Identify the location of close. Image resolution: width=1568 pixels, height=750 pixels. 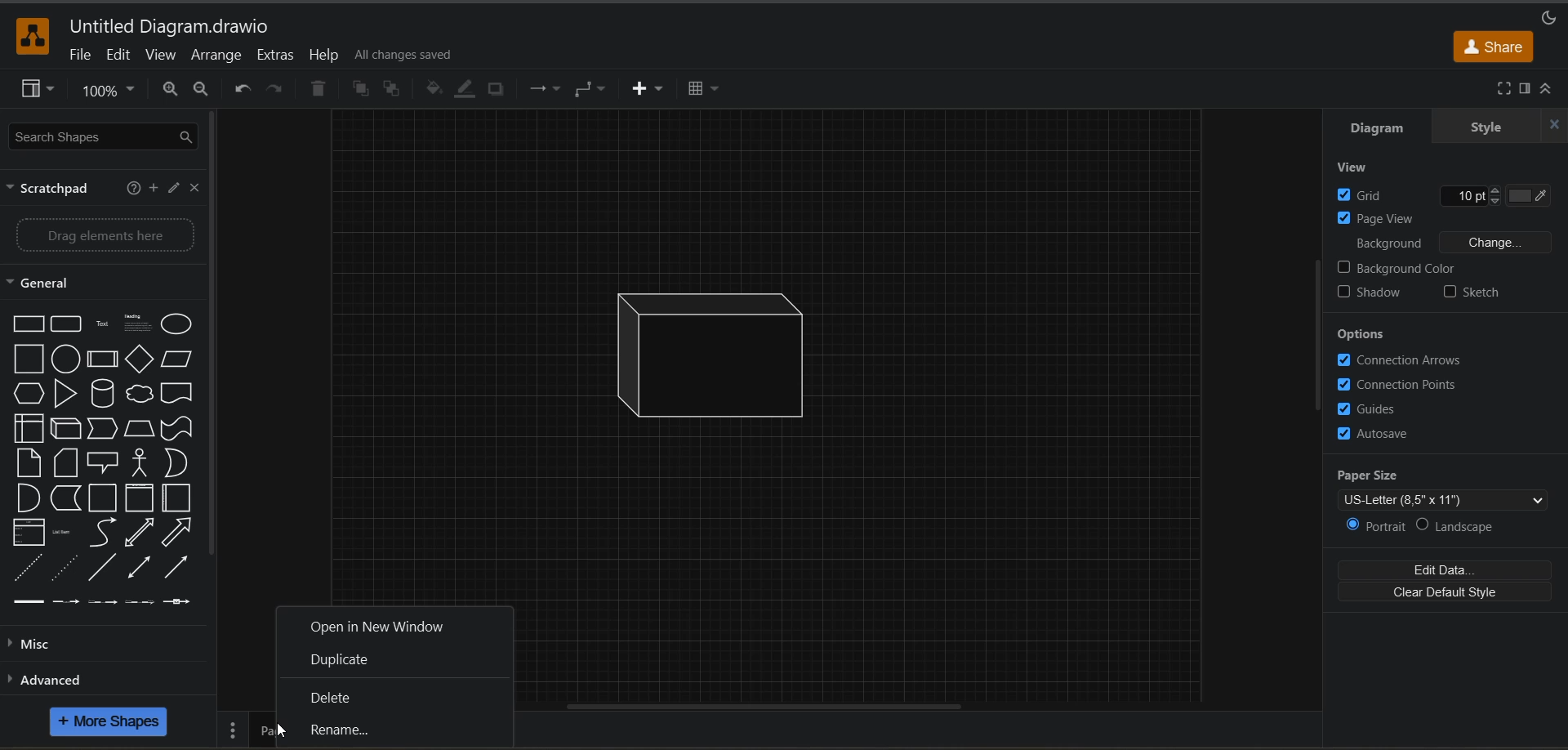
(1557, 124).